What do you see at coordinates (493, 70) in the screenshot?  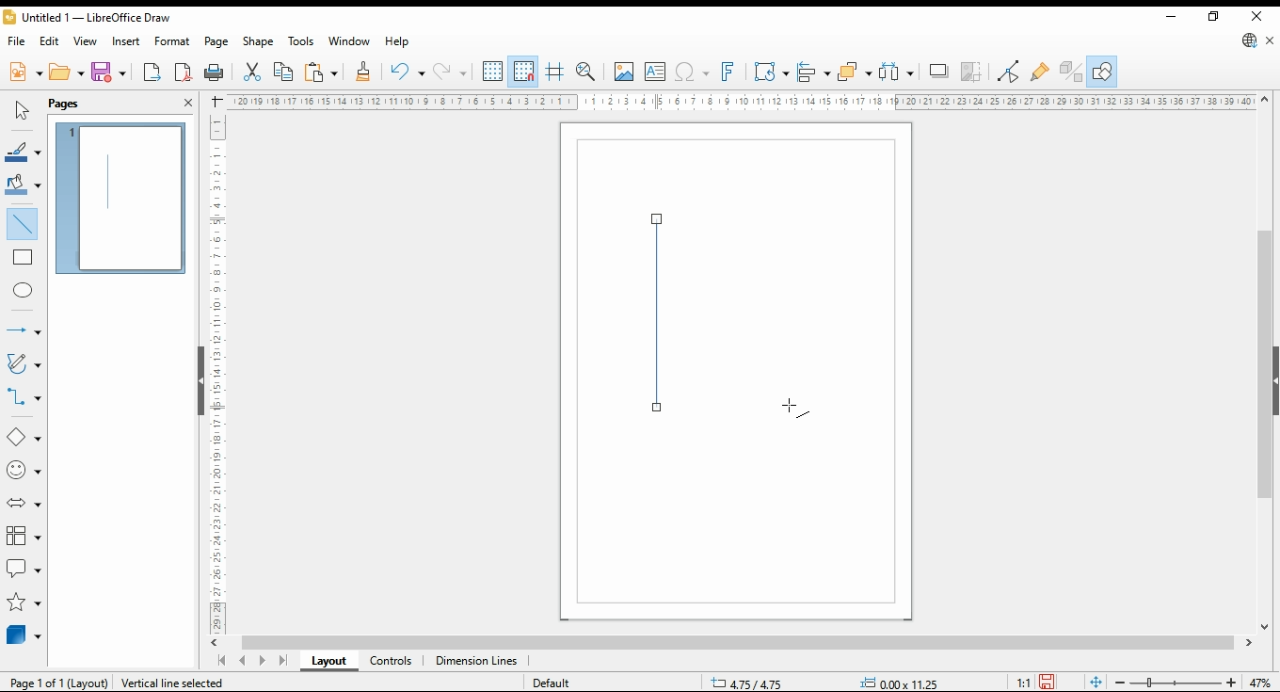 I see `display grid` at bounding box center [493, 70].